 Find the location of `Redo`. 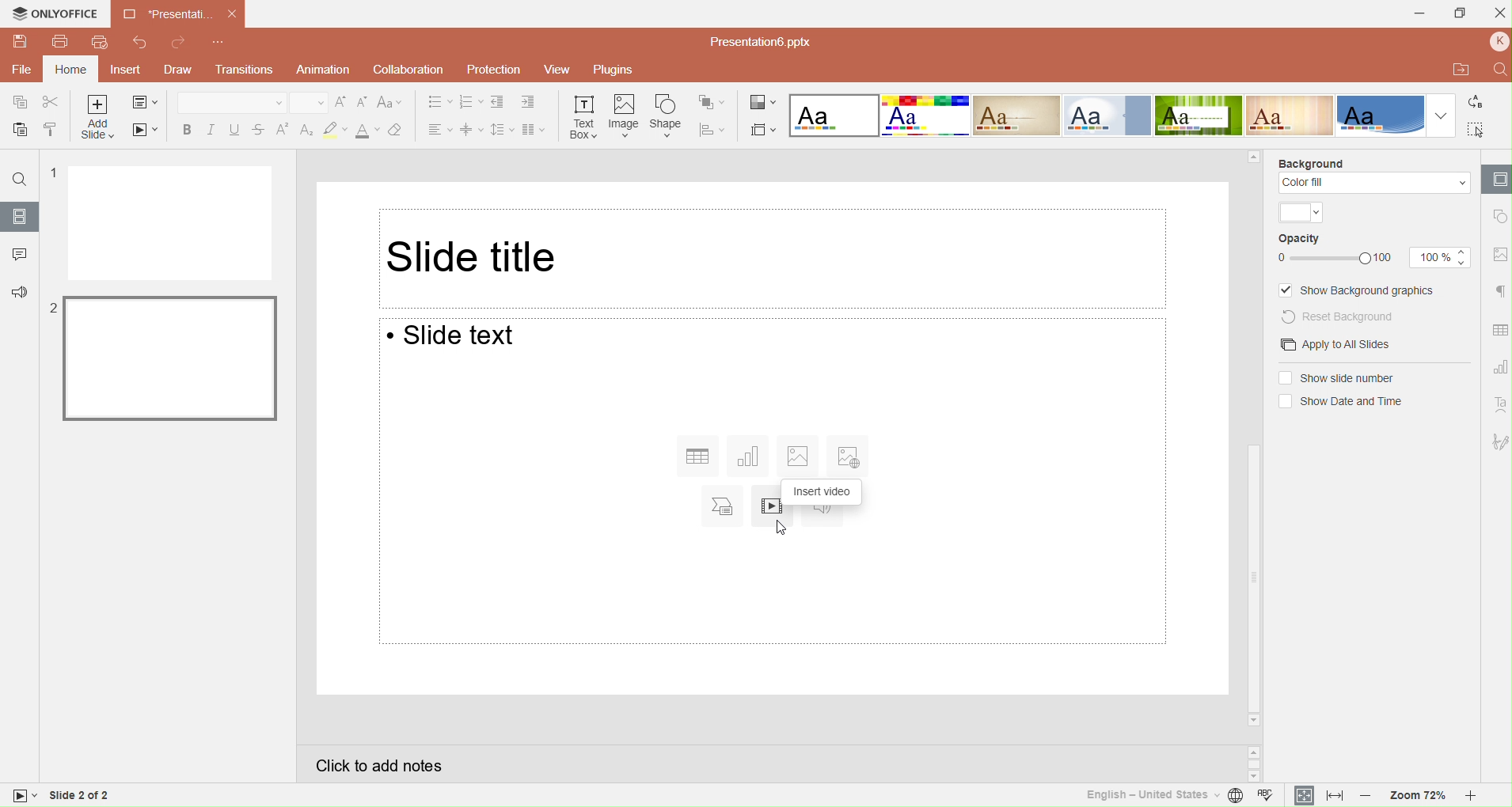

Redo is located at coordinates (178, 45).